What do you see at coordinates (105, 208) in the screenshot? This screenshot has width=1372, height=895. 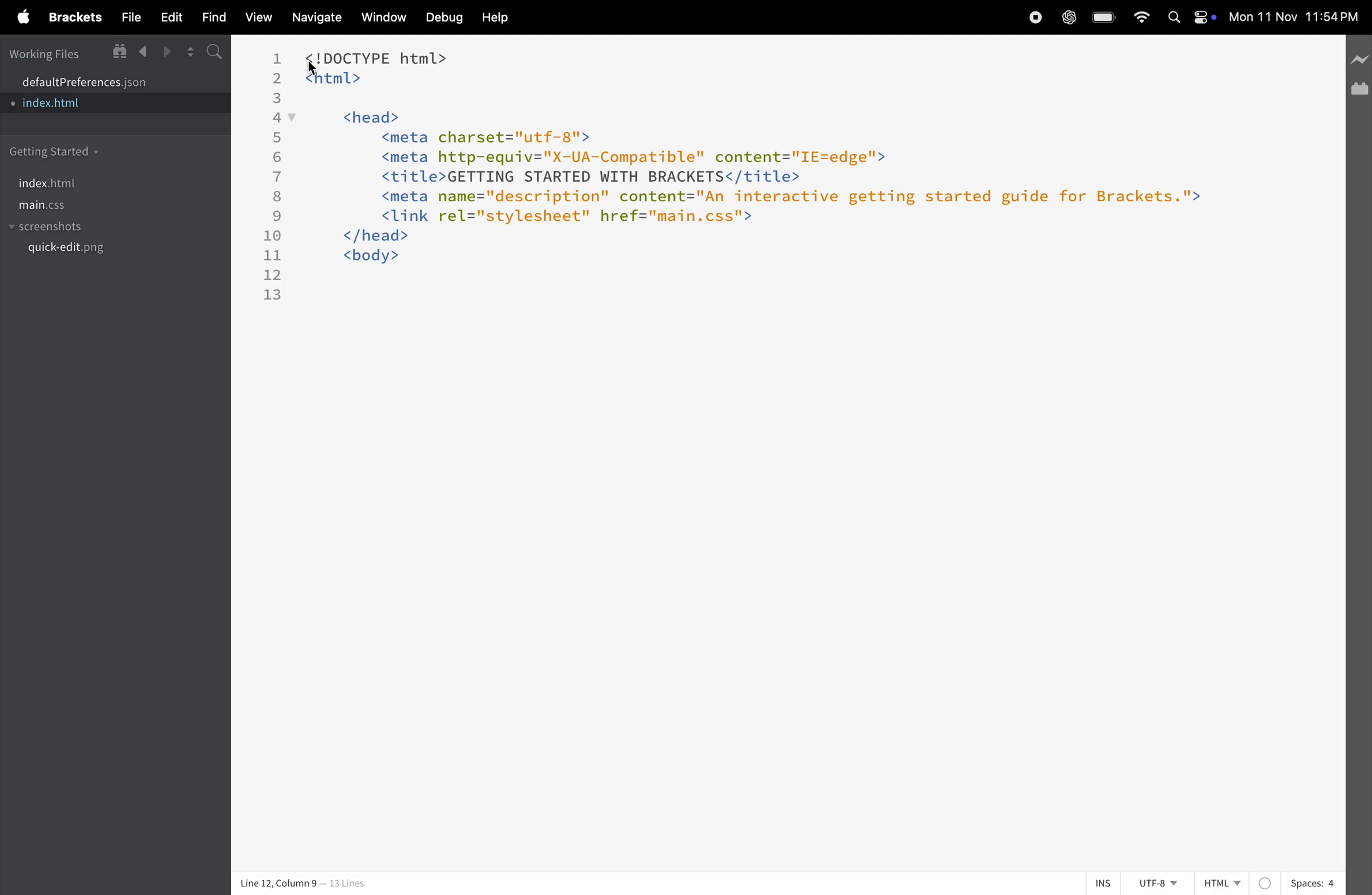 I see `main.css` at bounding box center [105, 208].